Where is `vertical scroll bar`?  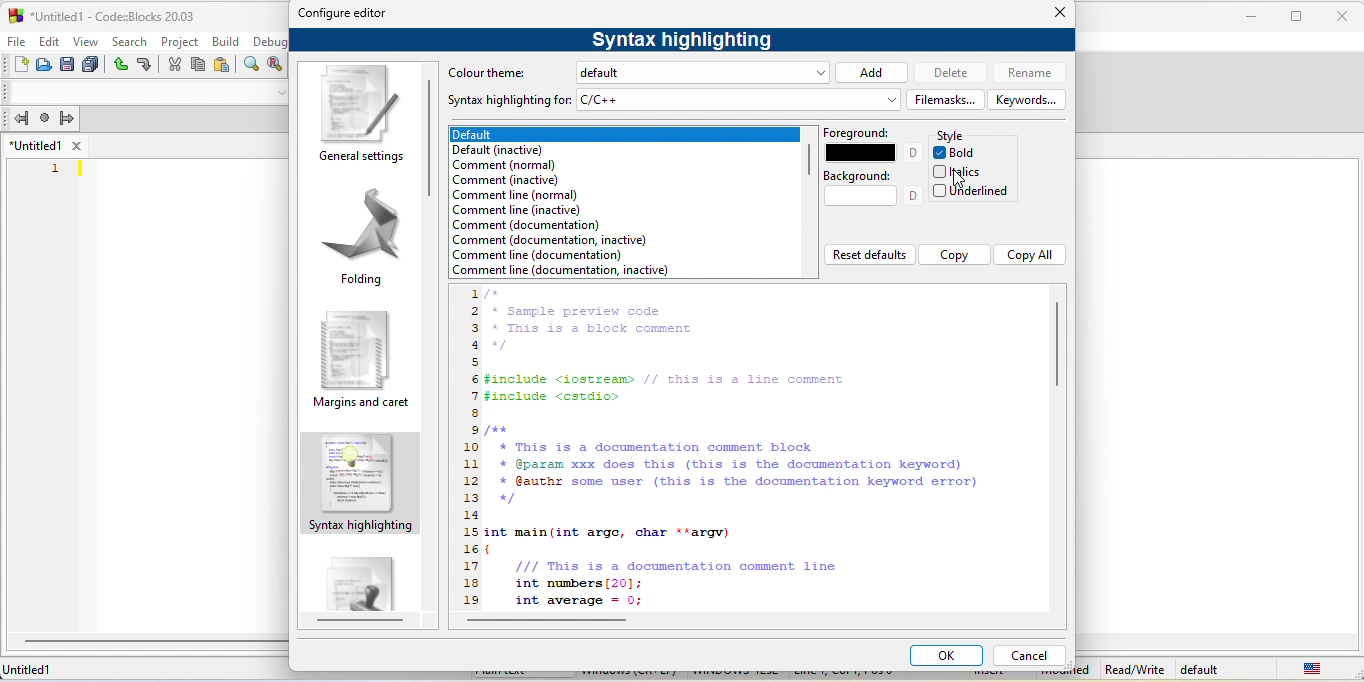
vertical scroll bar is located at coordinates (435, 135).